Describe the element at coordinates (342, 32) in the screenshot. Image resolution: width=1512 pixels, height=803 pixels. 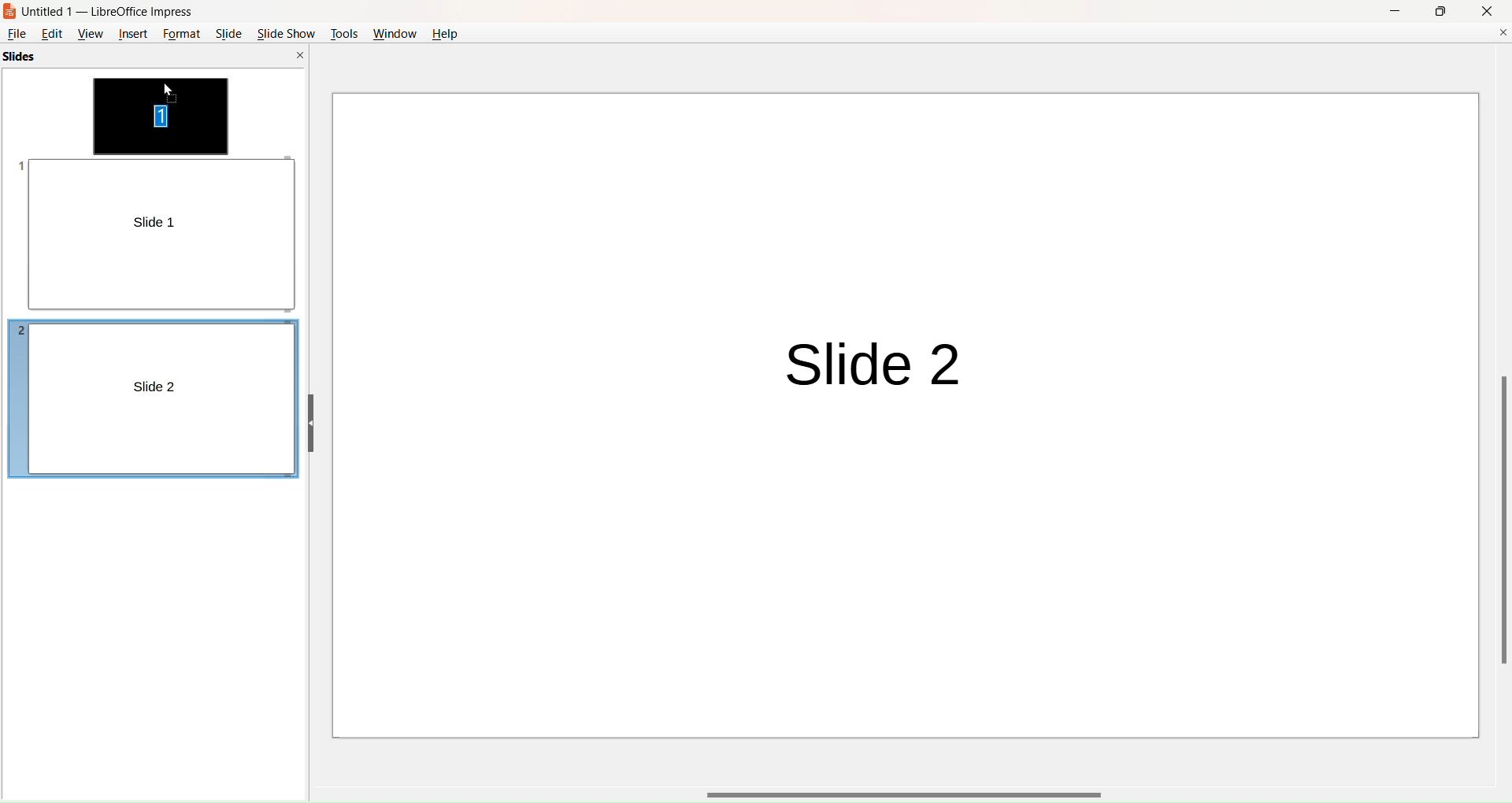
I see `tools` at that location.